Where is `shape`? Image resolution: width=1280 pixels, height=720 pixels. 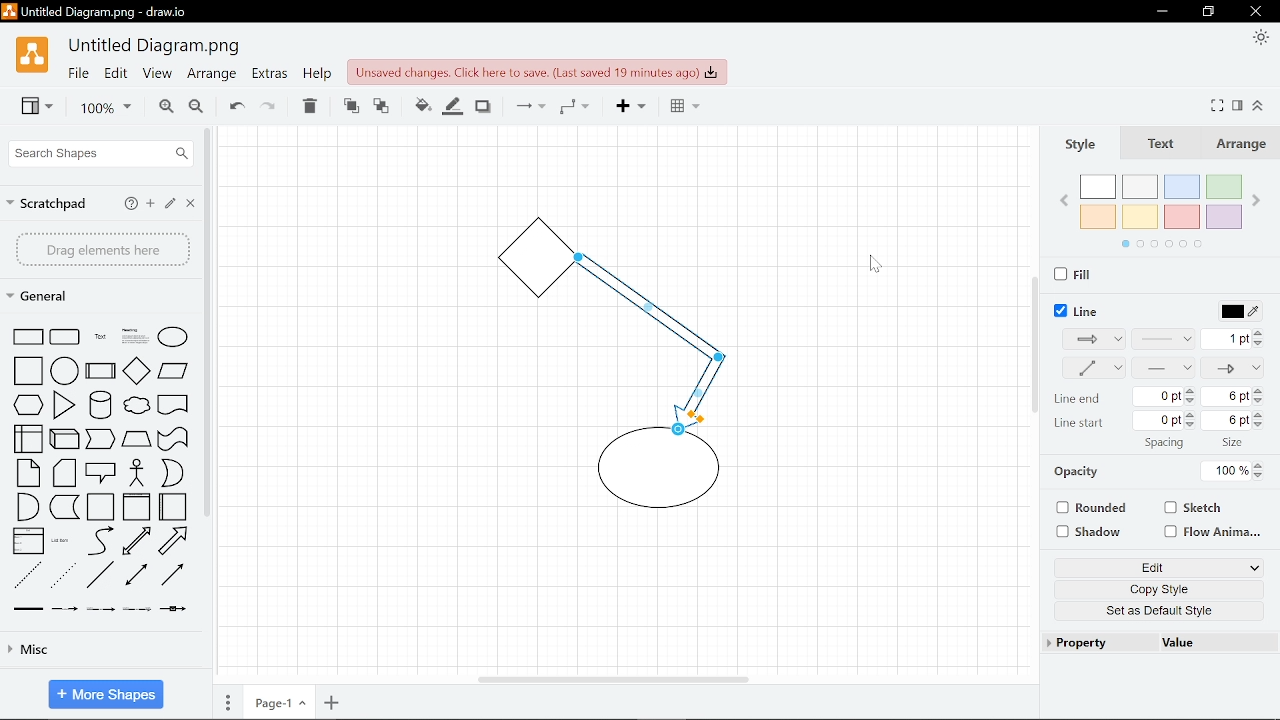
shape is located at coordinates (136, 610).